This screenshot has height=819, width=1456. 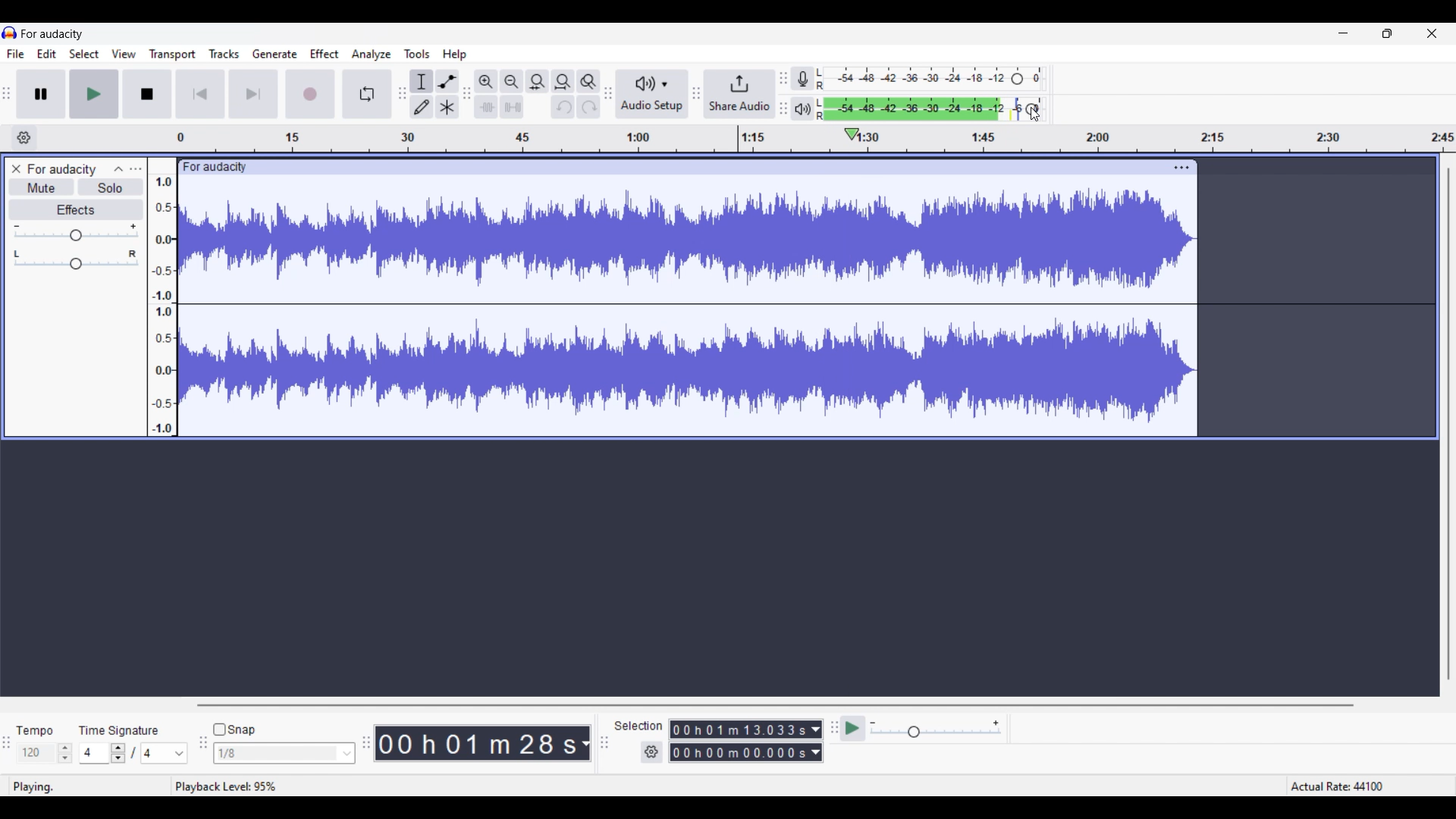 What do you see at coordinates (1181, 167) in the screenshot?
I see `Track settings` at bounding box center [1181, 167].